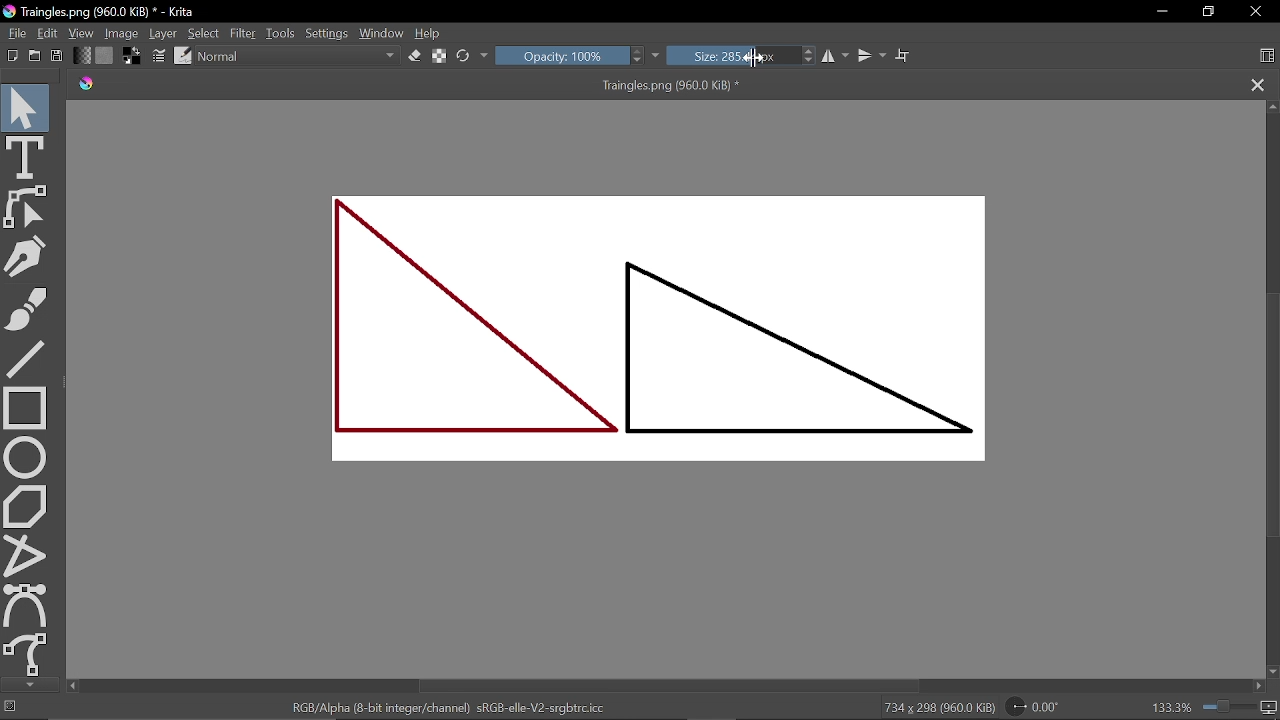 This screenshot has height=720, width=1280. I want to click on 734 x 298 (960.0 KiB), so click(935, 706).